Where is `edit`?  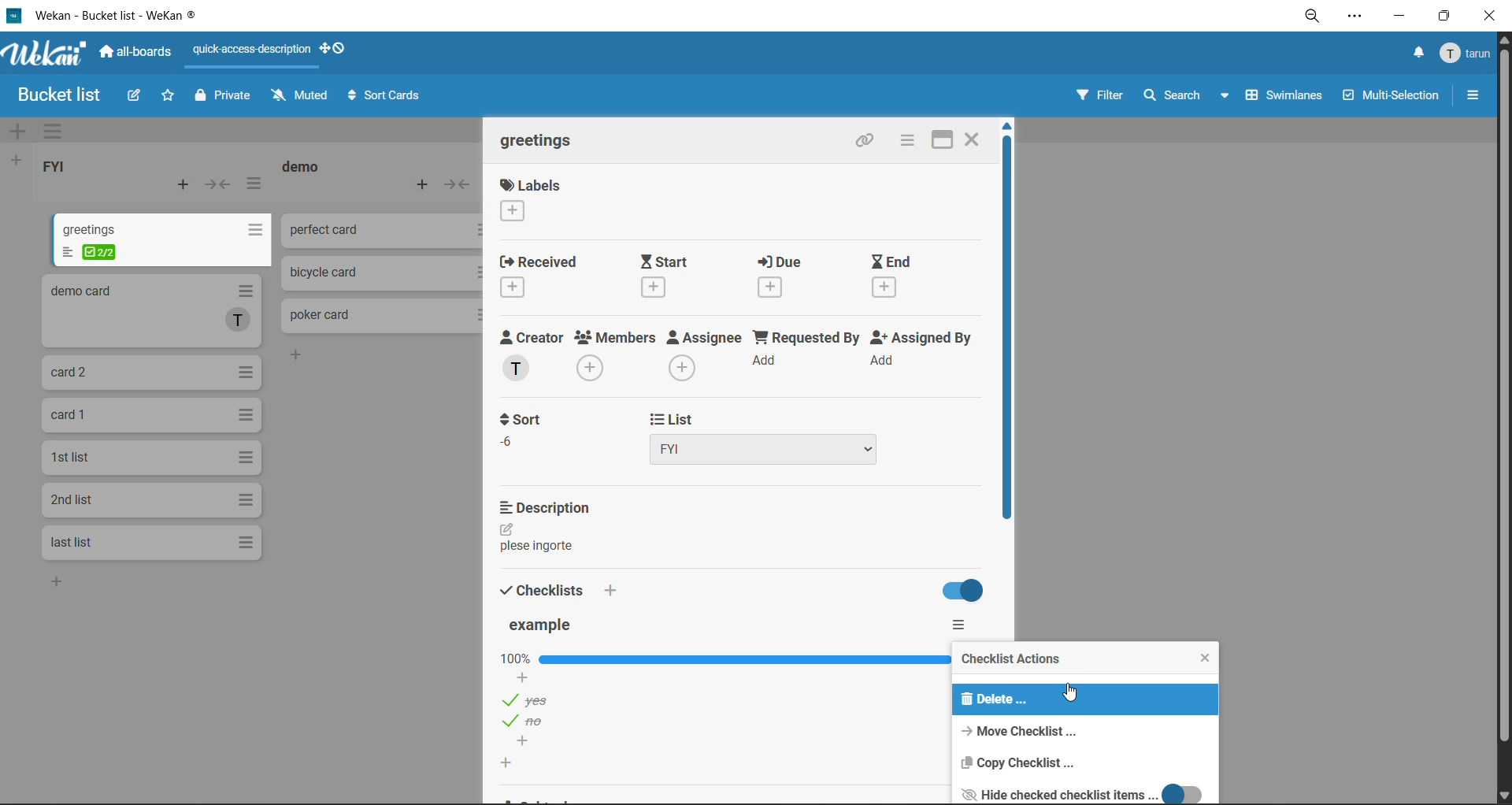
edit is located at coordinates (506, 527).